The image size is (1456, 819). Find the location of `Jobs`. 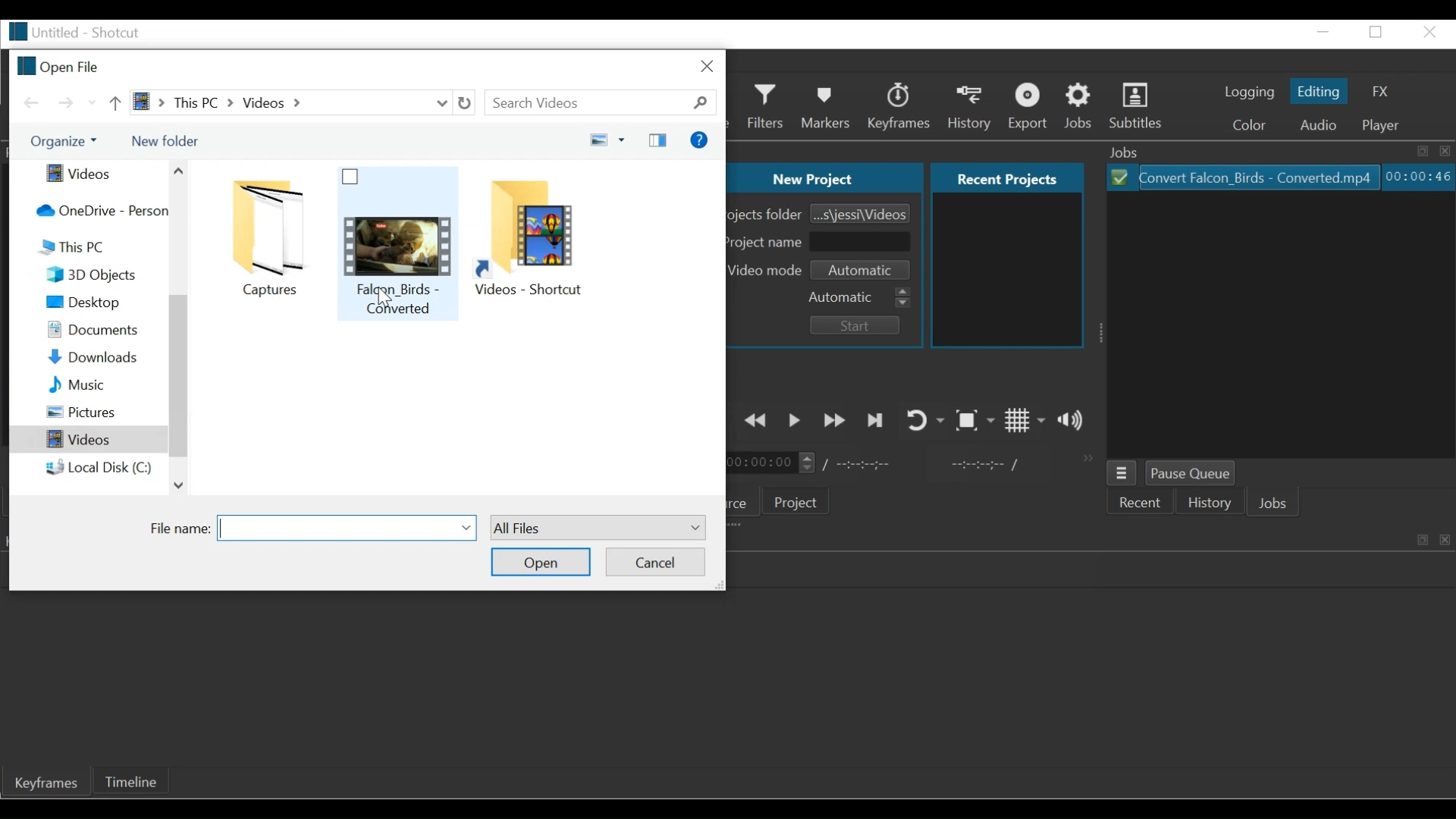

Jobs is located at coordinates (1278, 152).